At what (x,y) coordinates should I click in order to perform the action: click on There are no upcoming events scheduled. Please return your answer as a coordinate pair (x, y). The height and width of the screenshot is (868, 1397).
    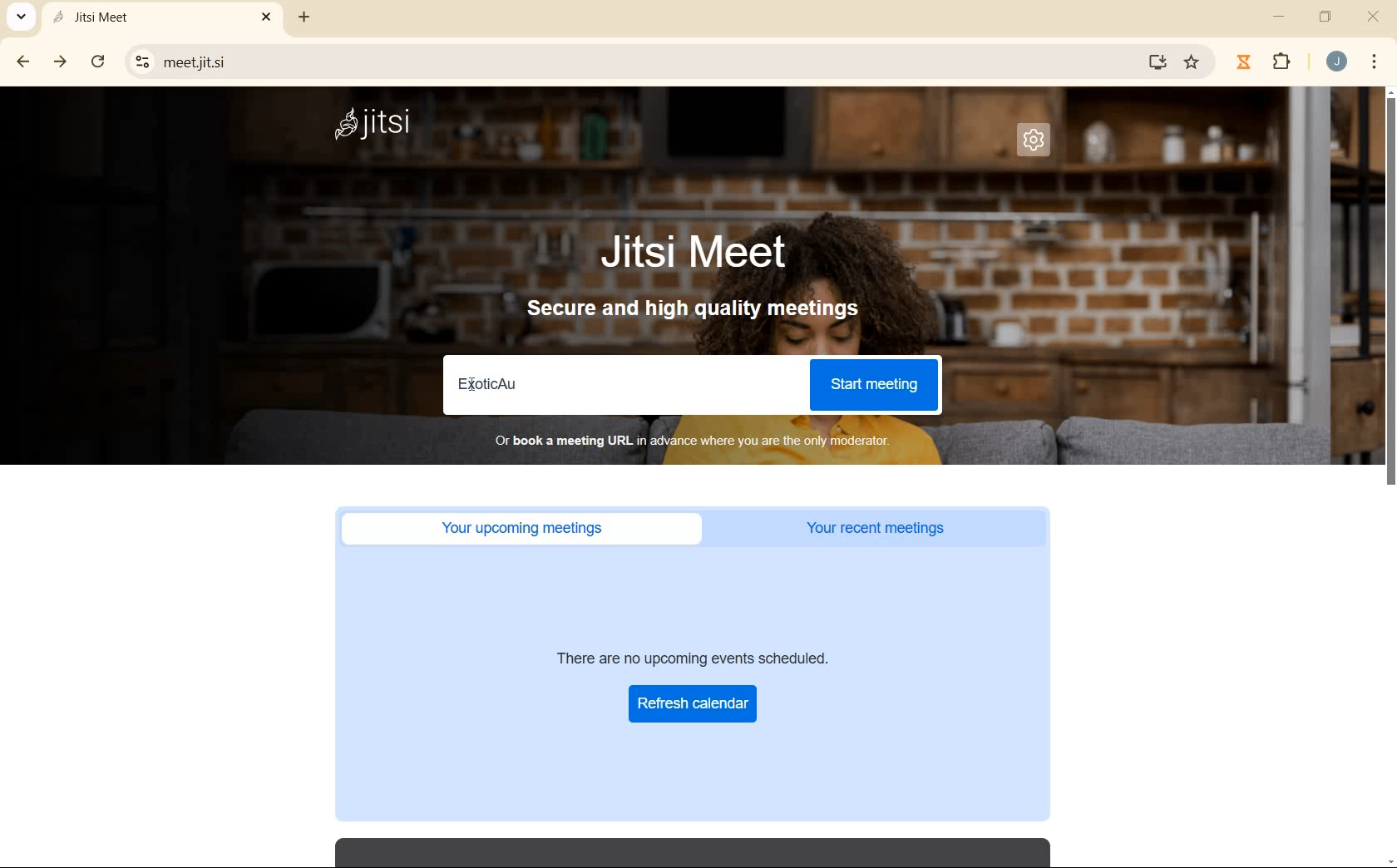
    Looking at the image, I should click on (719, 657).